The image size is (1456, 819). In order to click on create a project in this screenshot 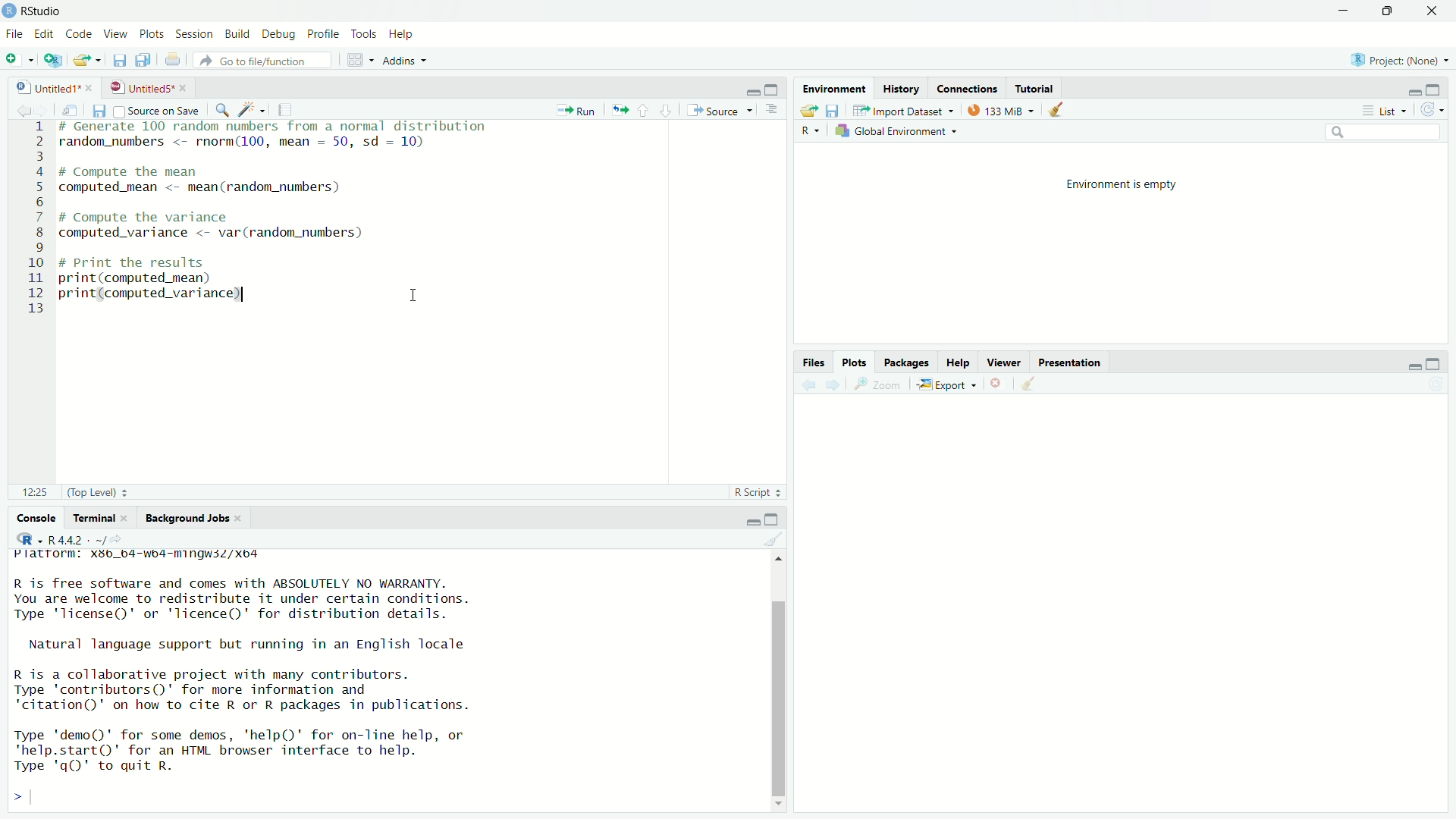, I will do `click(56, 60)`.